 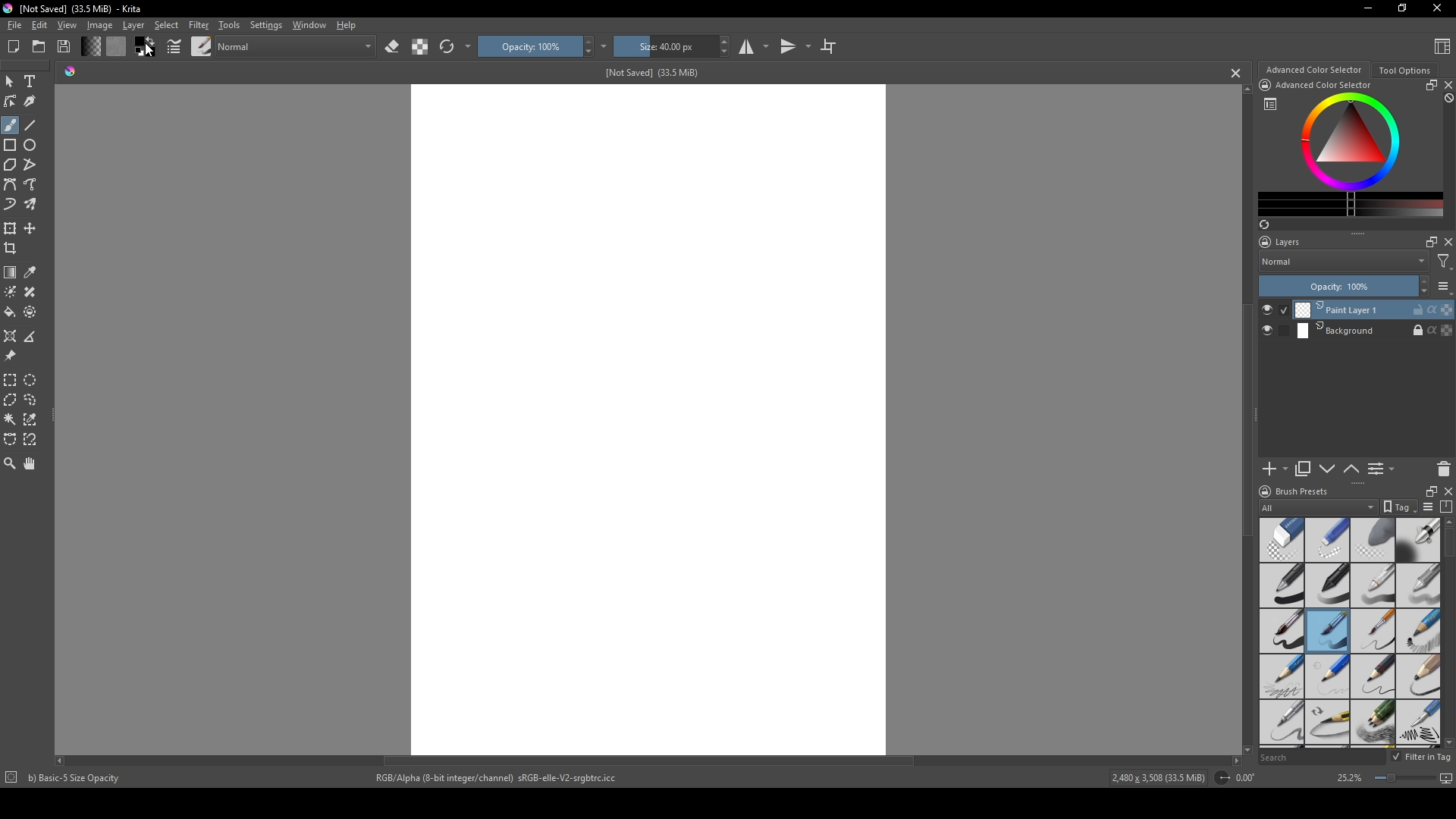 What do you see at coordinates (1384, 469) in the screenshot?
I see `List` at bounding box center [1384, 469].